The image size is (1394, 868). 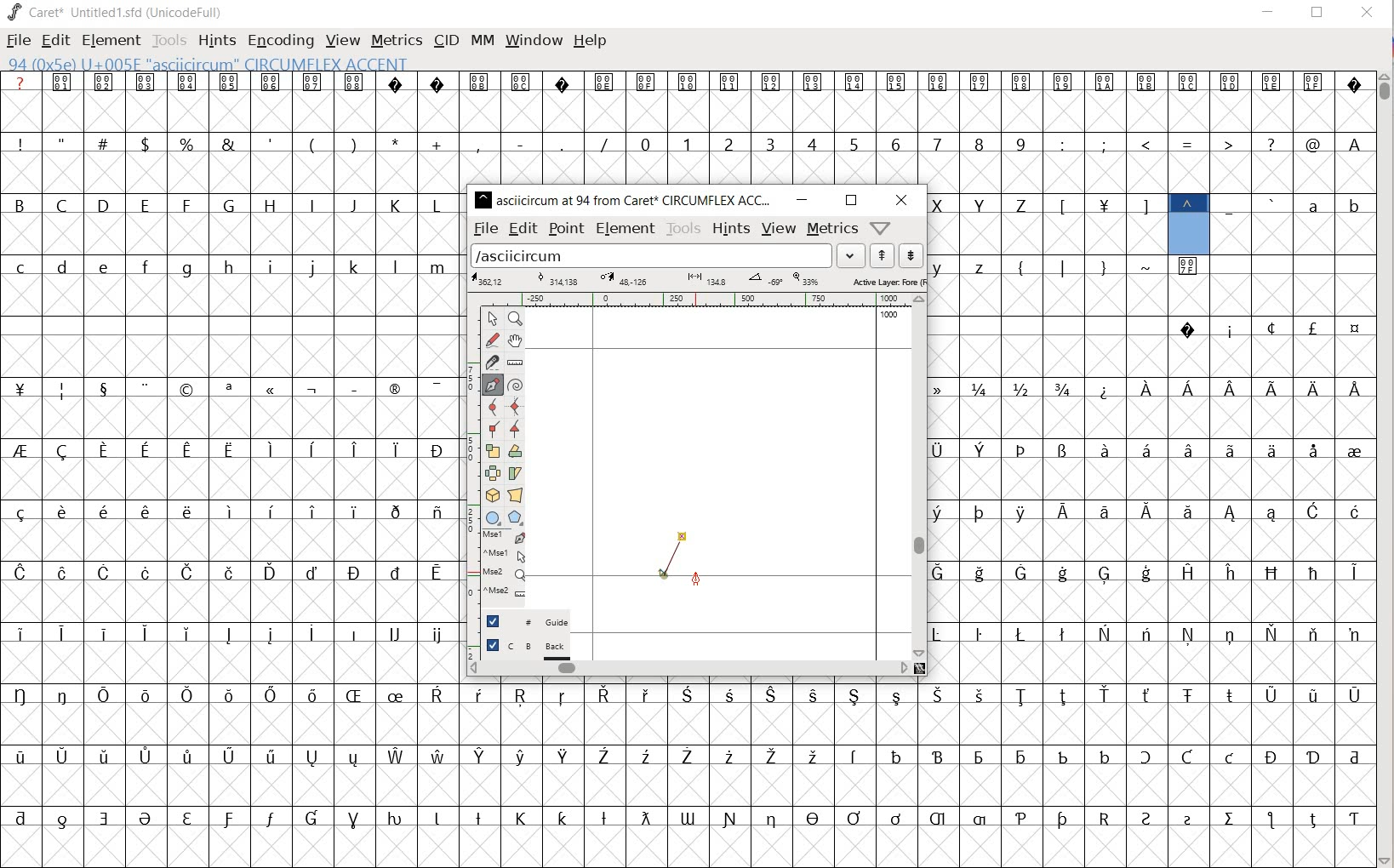 I want to click on draw a freehand curve, so click(x=492, y=340).